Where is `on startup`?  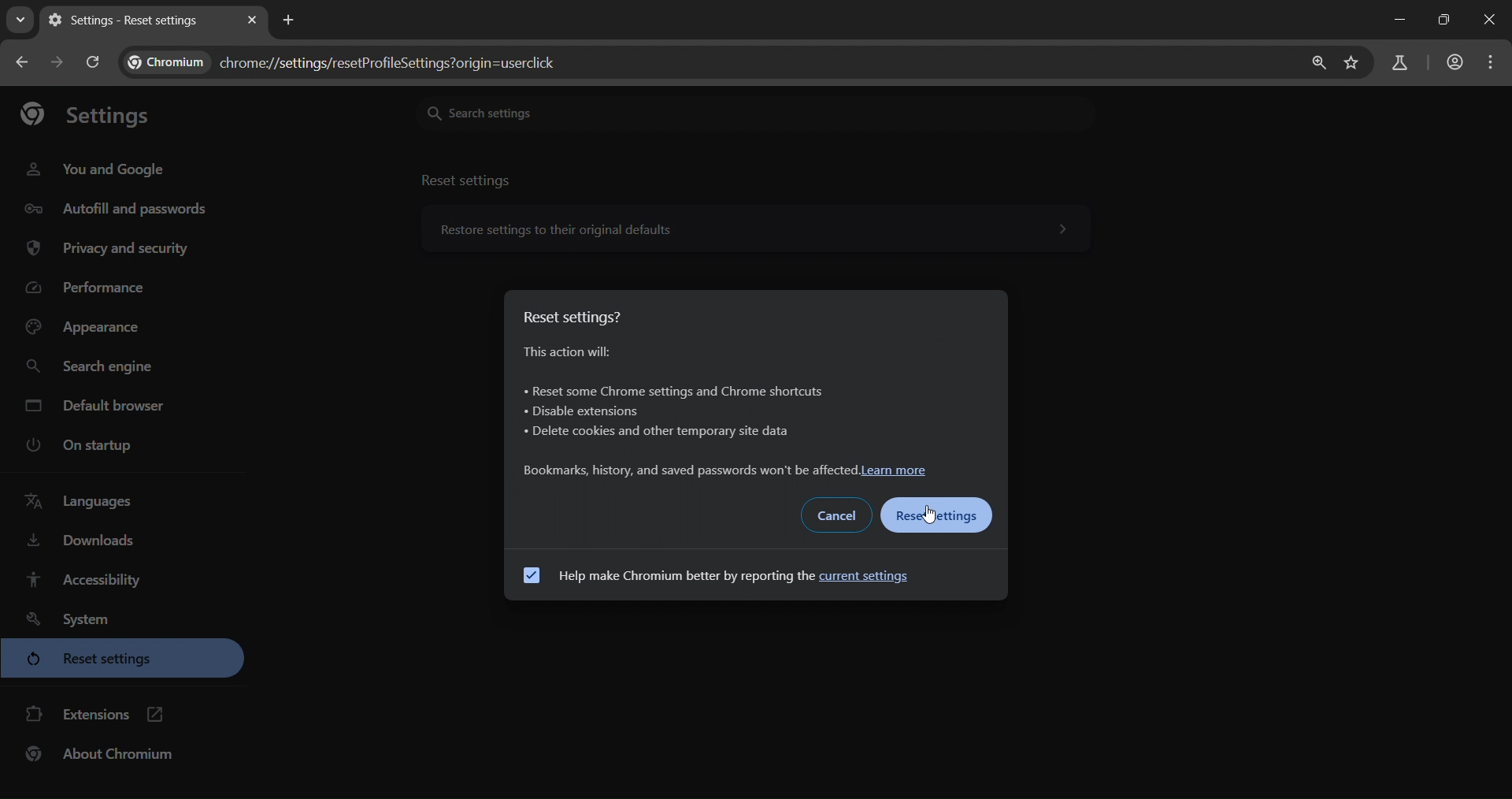
on startup is located at coordinates (85, 444).